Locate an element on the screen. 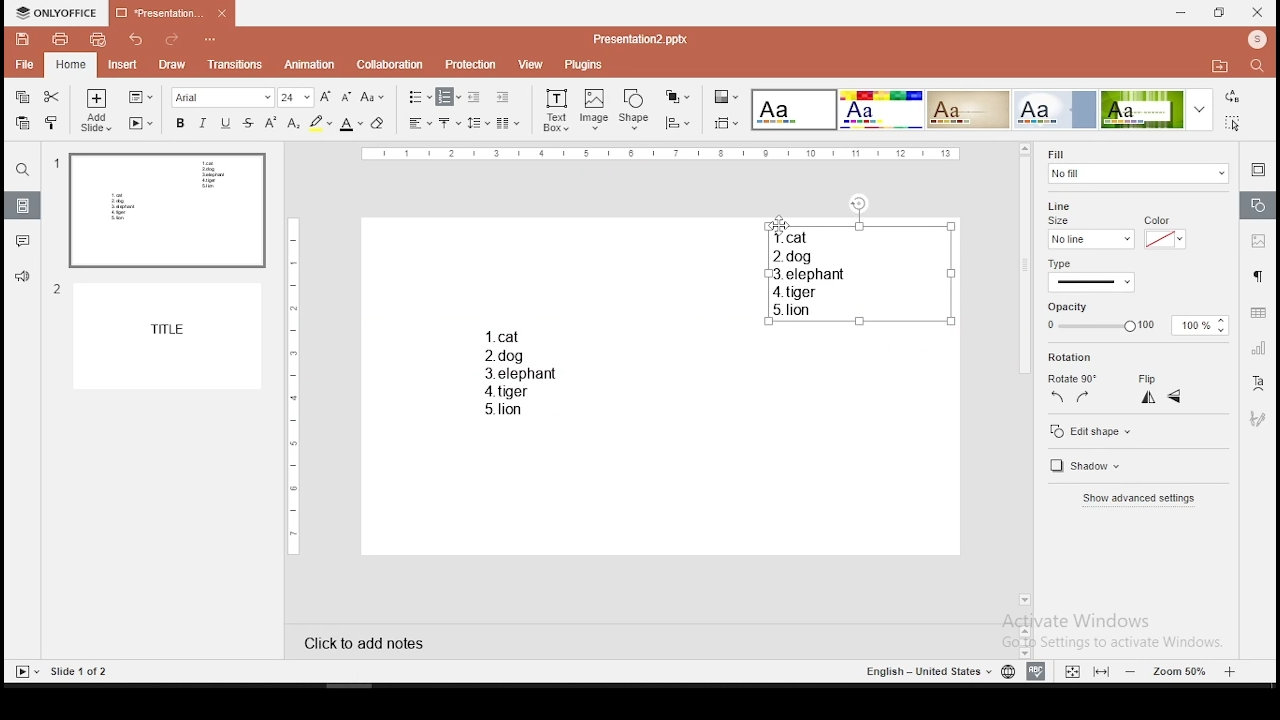 The image size is (1280, 720). theme is located at coordinates (967, 110).